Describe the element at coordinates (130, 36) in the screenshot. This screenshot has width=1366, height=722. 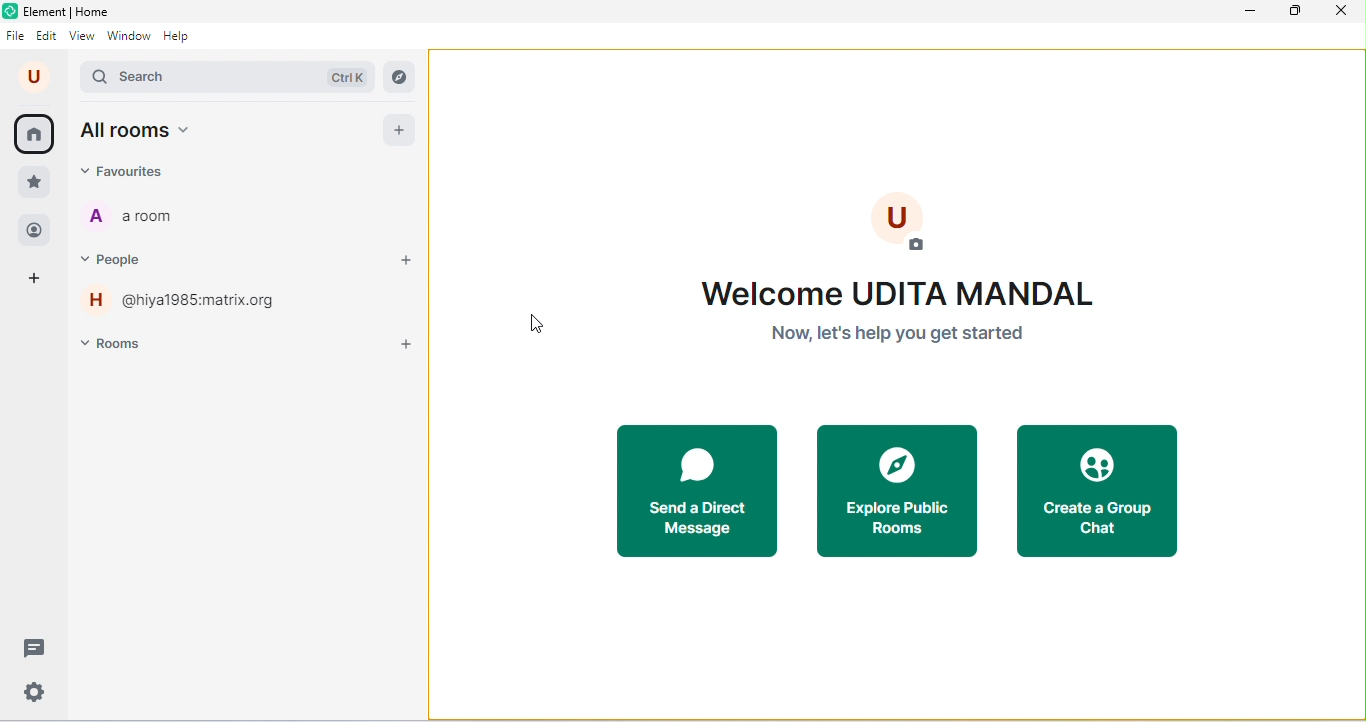
I see `window` at that location.